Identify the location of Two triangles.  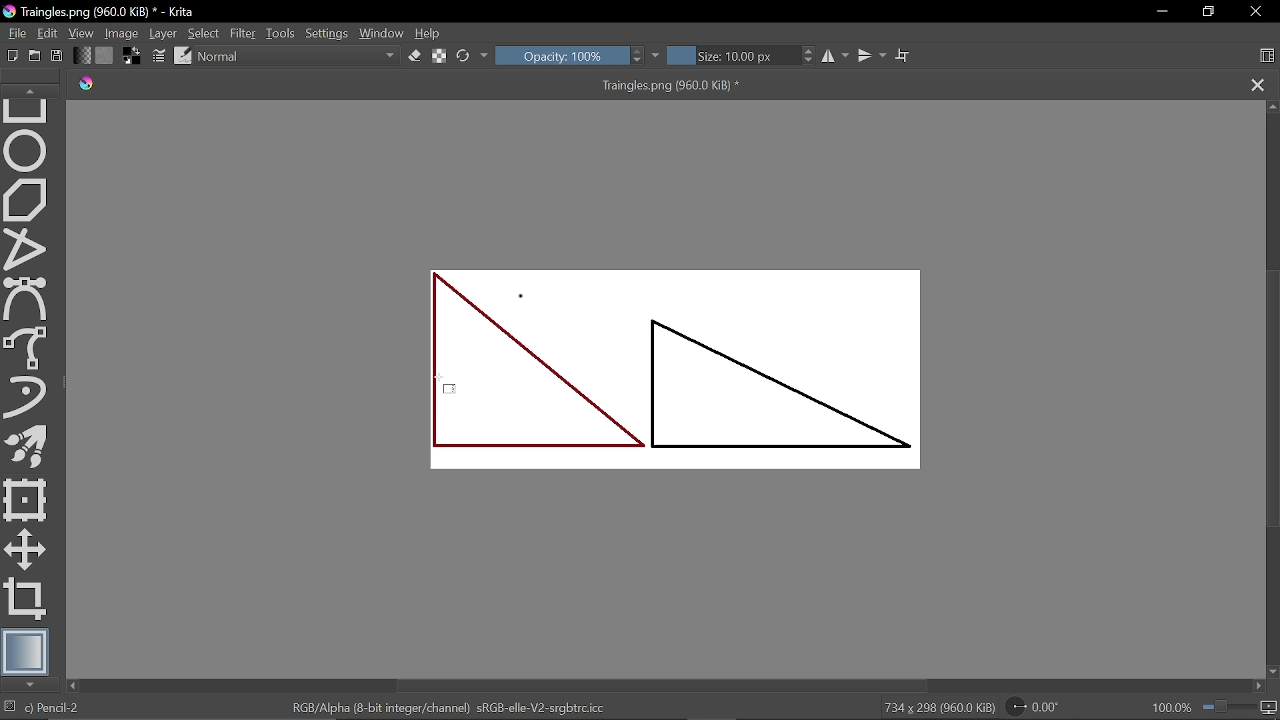
(689, 366).